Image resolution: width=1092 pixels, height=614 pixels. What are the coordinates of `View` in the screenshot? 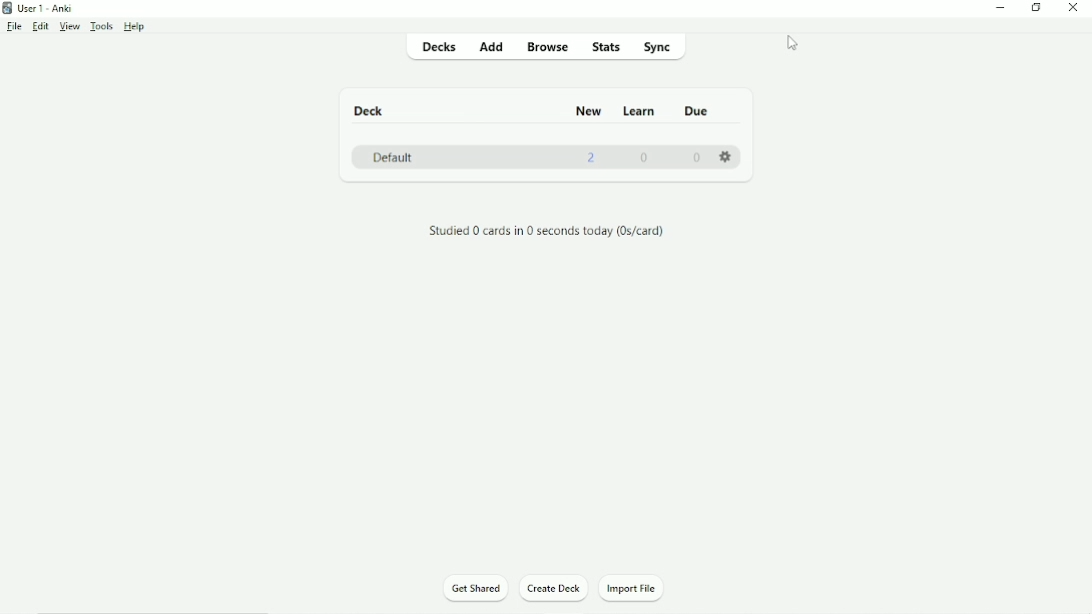 It's located at (72, 25).